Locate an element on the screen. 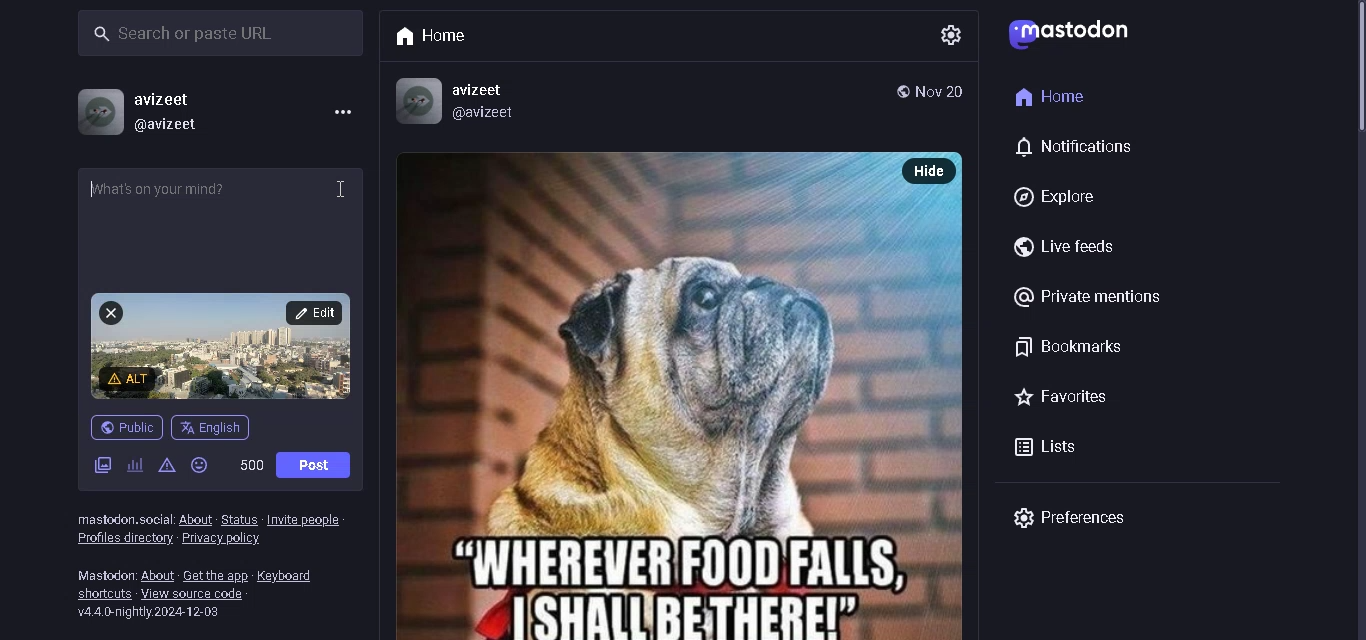 The width and height of the screenshot is (1366, 640). English is located at coordinates (213, 426).